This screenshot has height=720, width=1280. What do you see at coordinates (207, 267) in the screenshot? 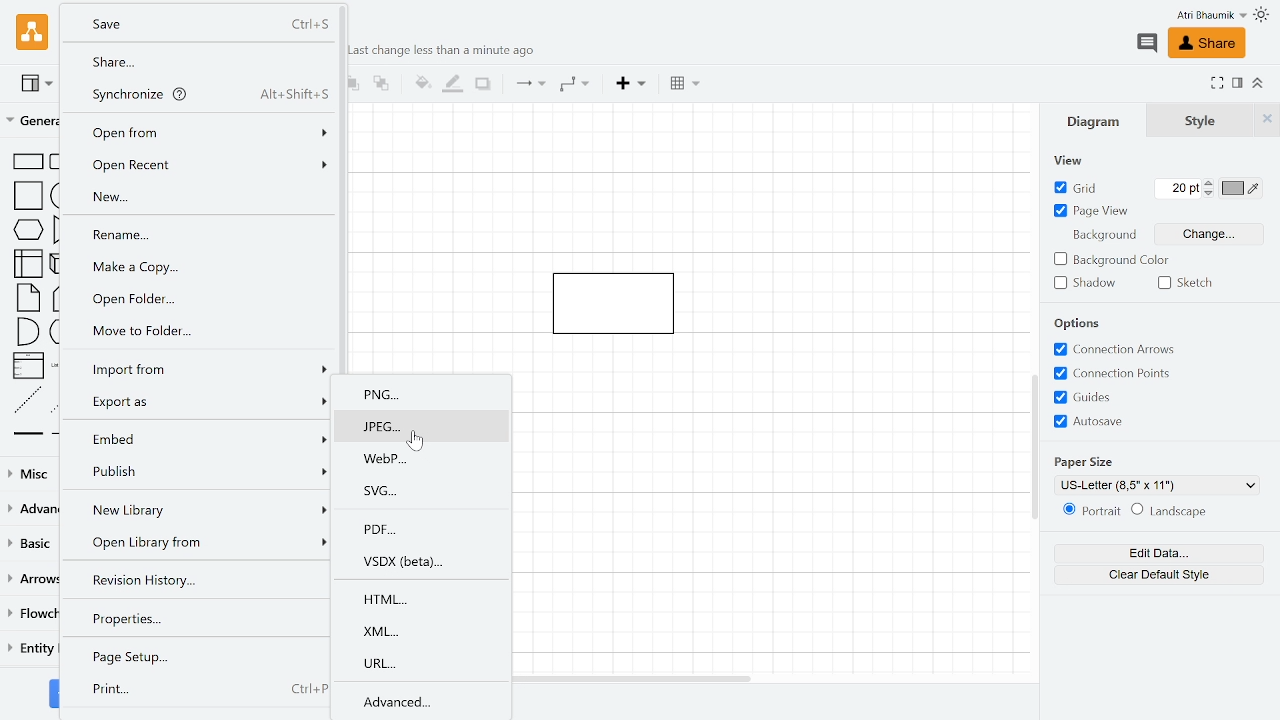
I see `make a copy` at bounding box center [207, 267].